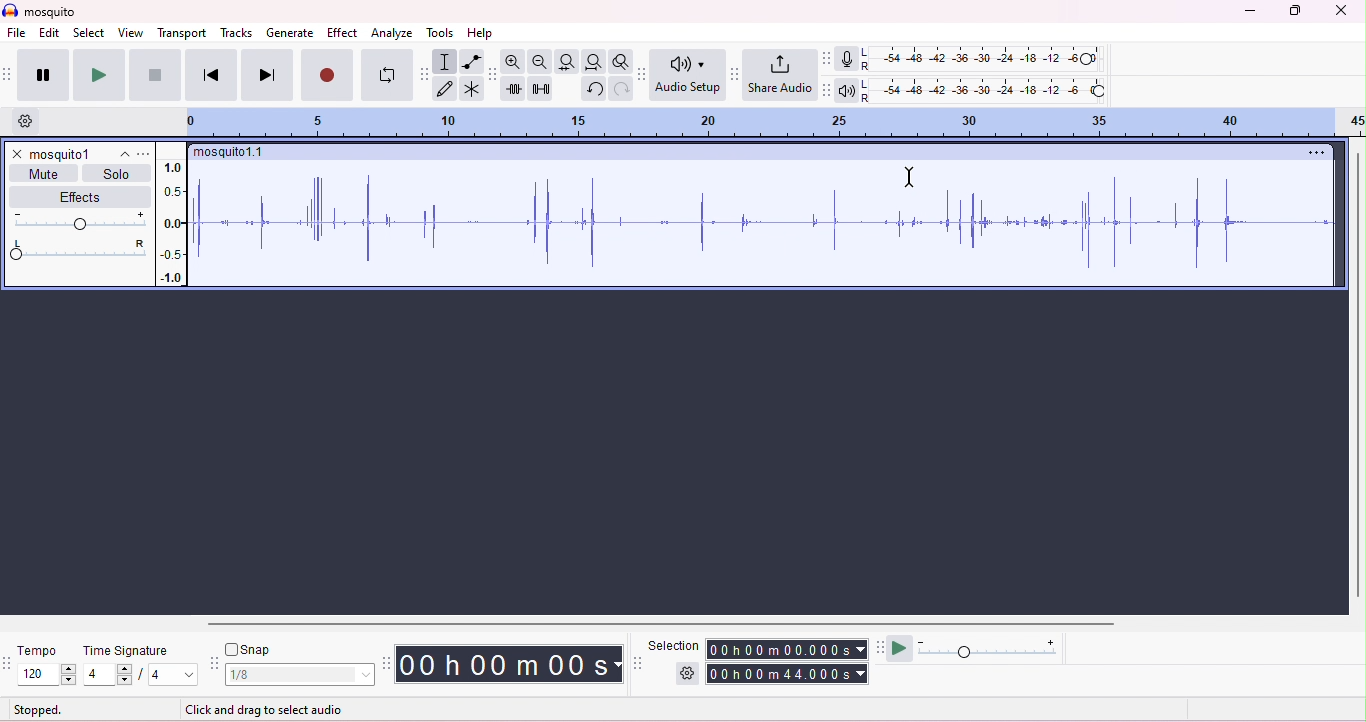 The image size is (1366, 722). What do you see at coordinates (126, 651) in the screenshot?
I see `time signature` at bounding box center [126, 651].